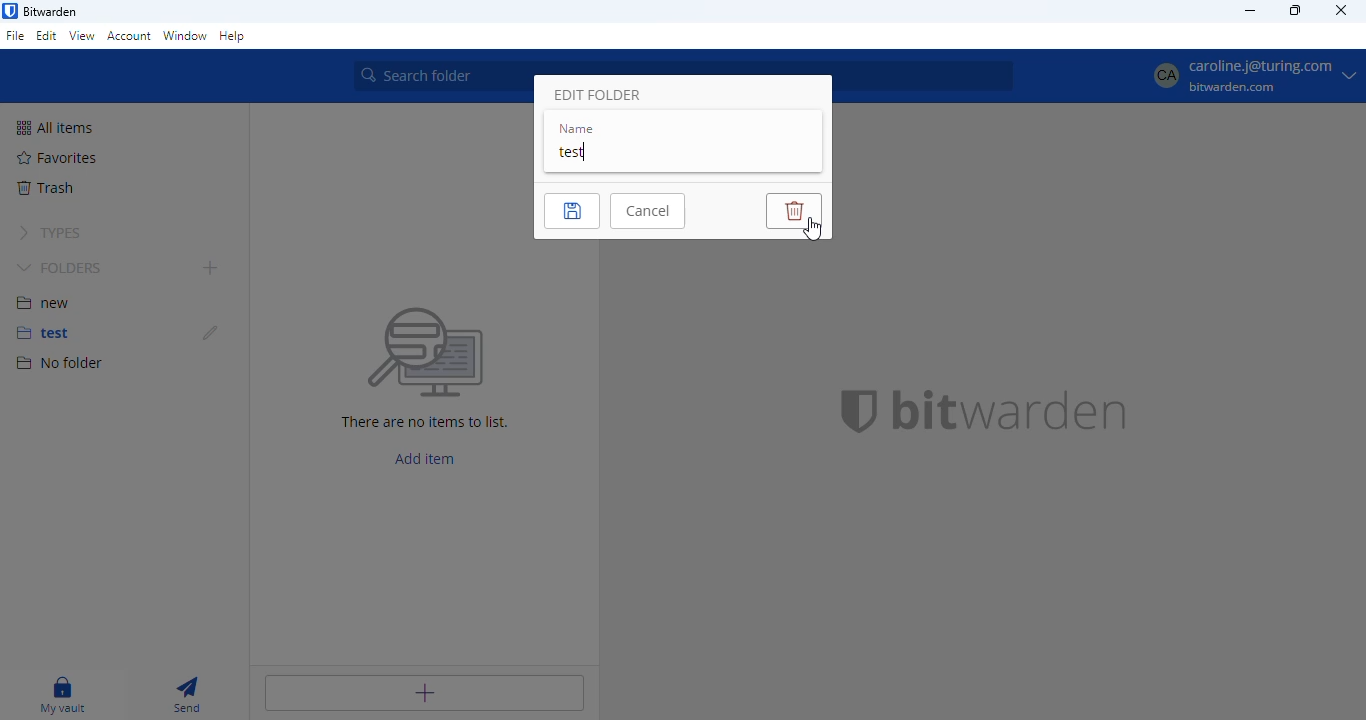 The width and height of the screenshot is (1366, 720). What do you see at coordinates (47, 37) in the screenshot?
I see `edit` at bounding box center [47, 37].